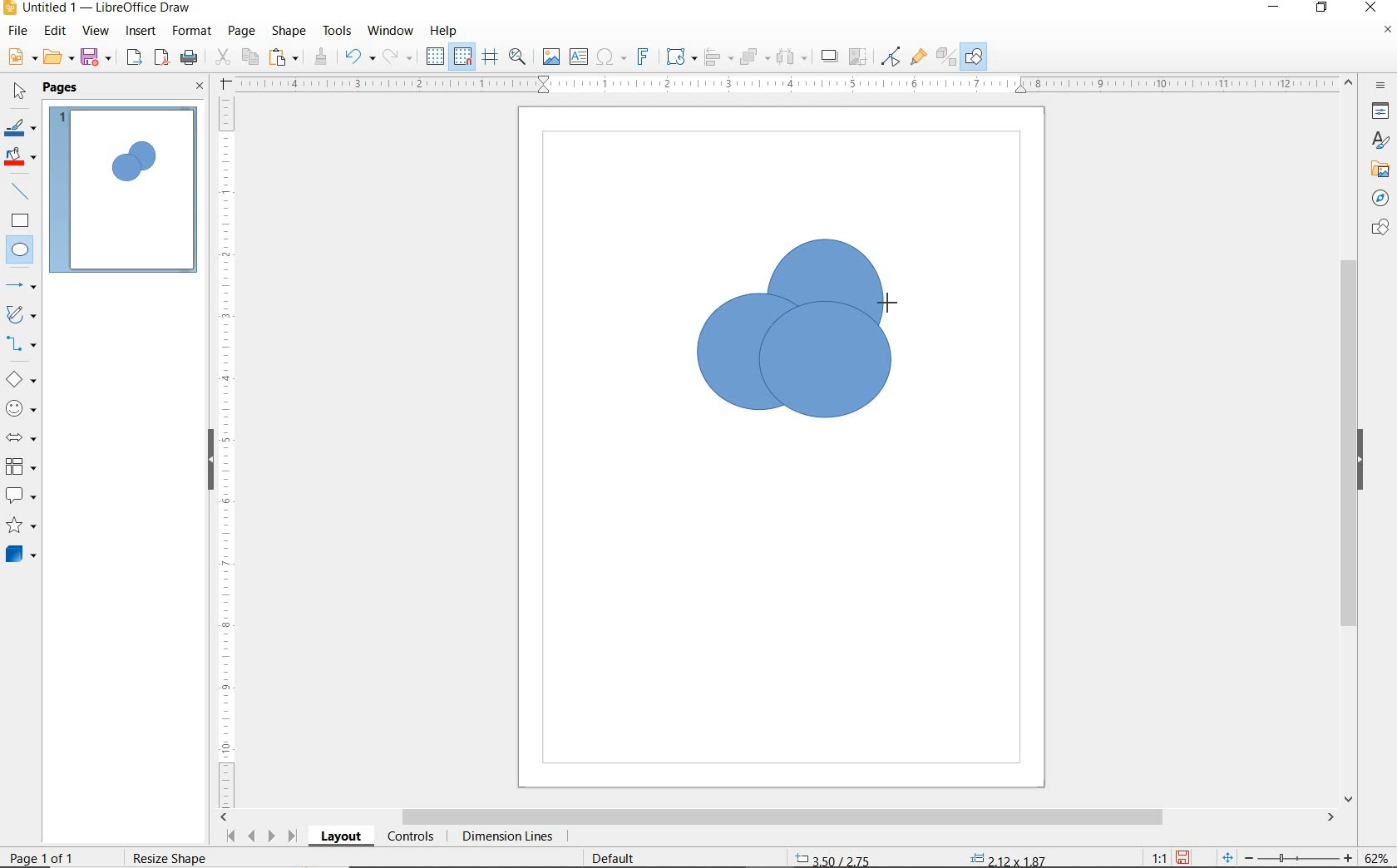 The width and height of the screenshot is (1397, 868). What do you see at coordinates (1377, 235) in the screenshot?
I see `CHATS` at bounding box center [1377, 235].